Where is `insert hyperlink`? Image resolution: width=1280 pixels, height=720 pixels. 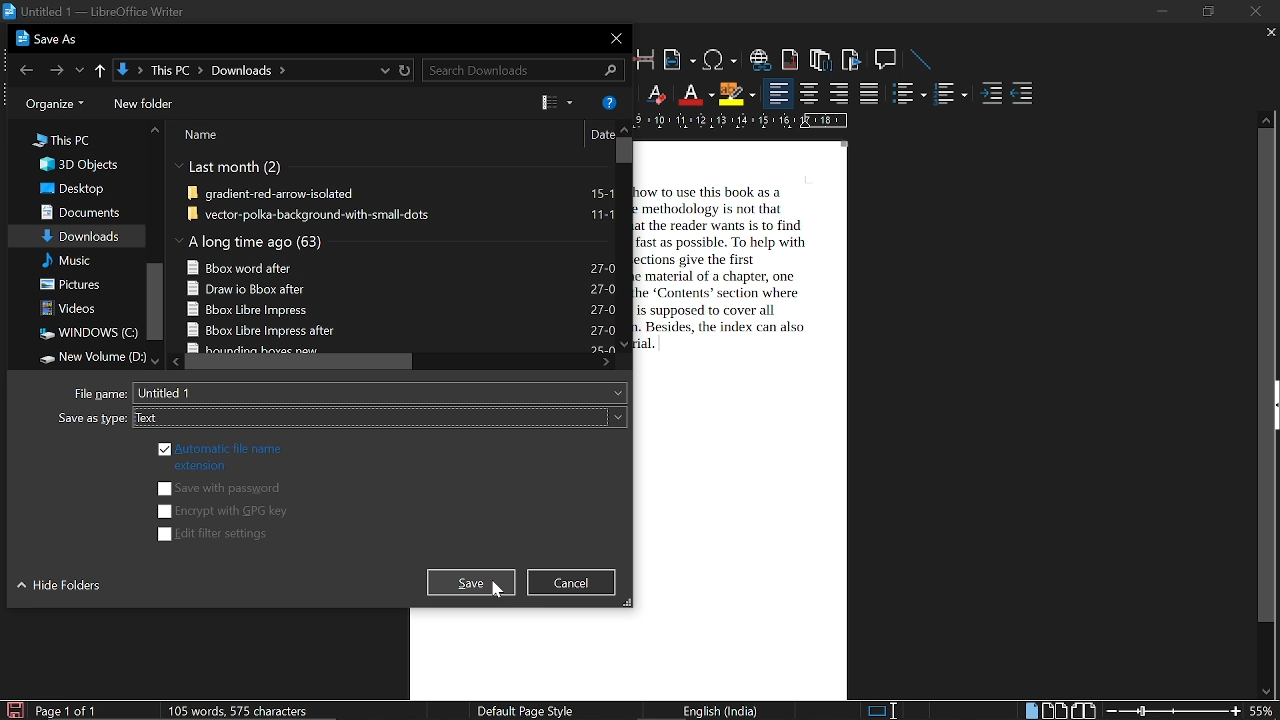 insert hyperlink is located at coordinates (761, 60).